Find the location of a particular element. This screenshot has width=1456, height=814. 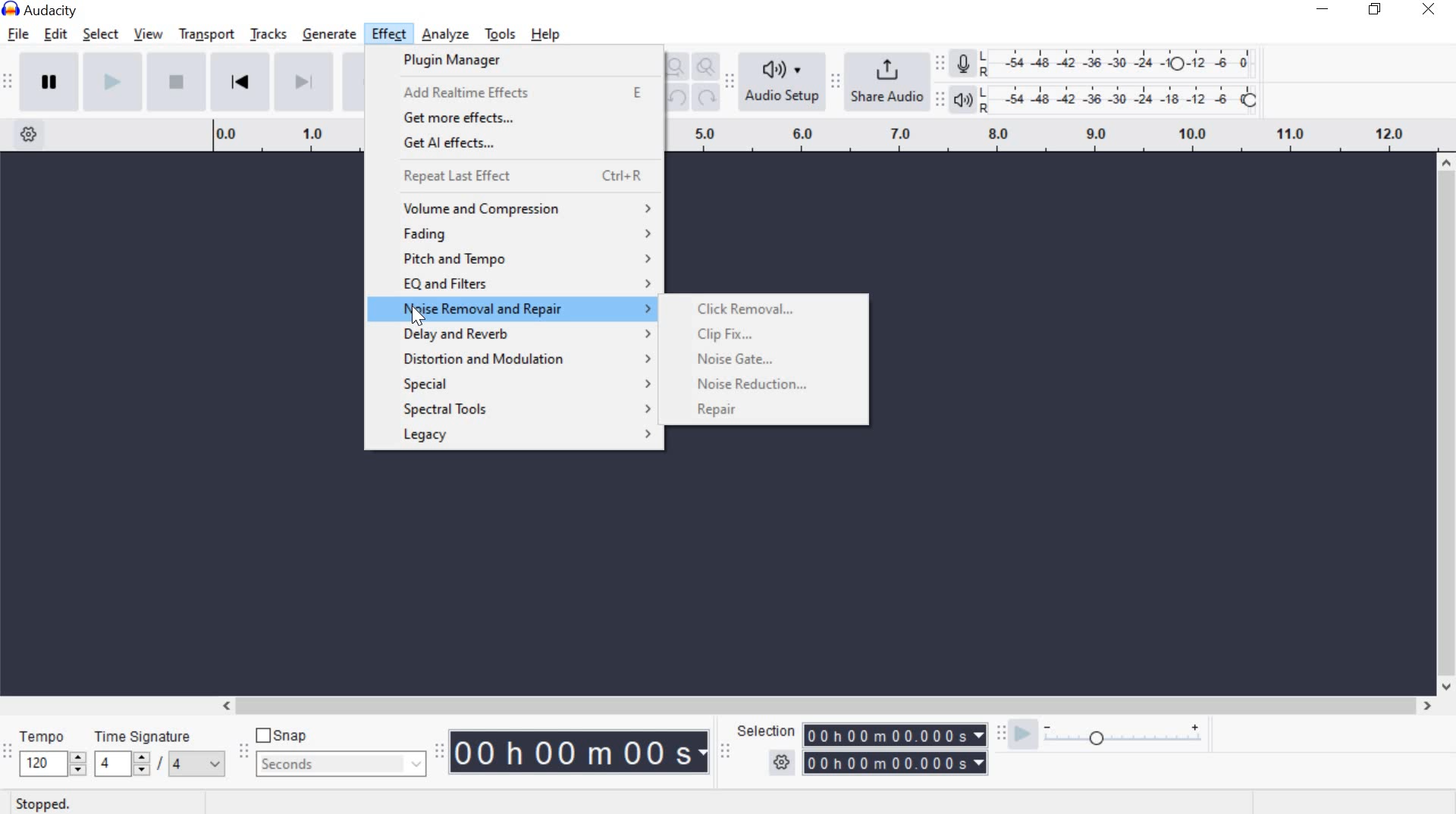

undo is located at coordinates (678, 97).